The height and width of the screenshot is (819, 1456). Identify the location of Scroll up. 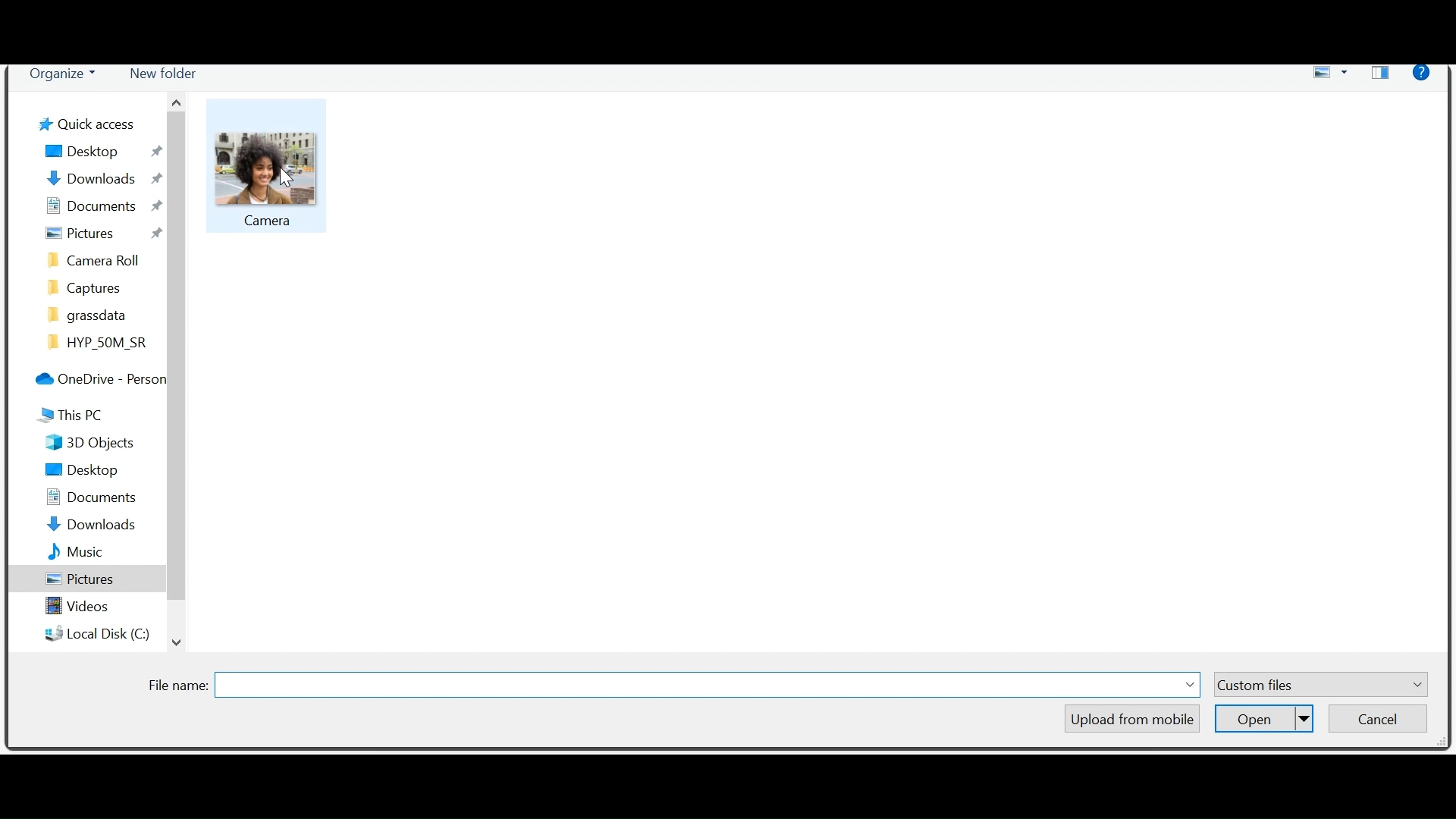
(175, 101).